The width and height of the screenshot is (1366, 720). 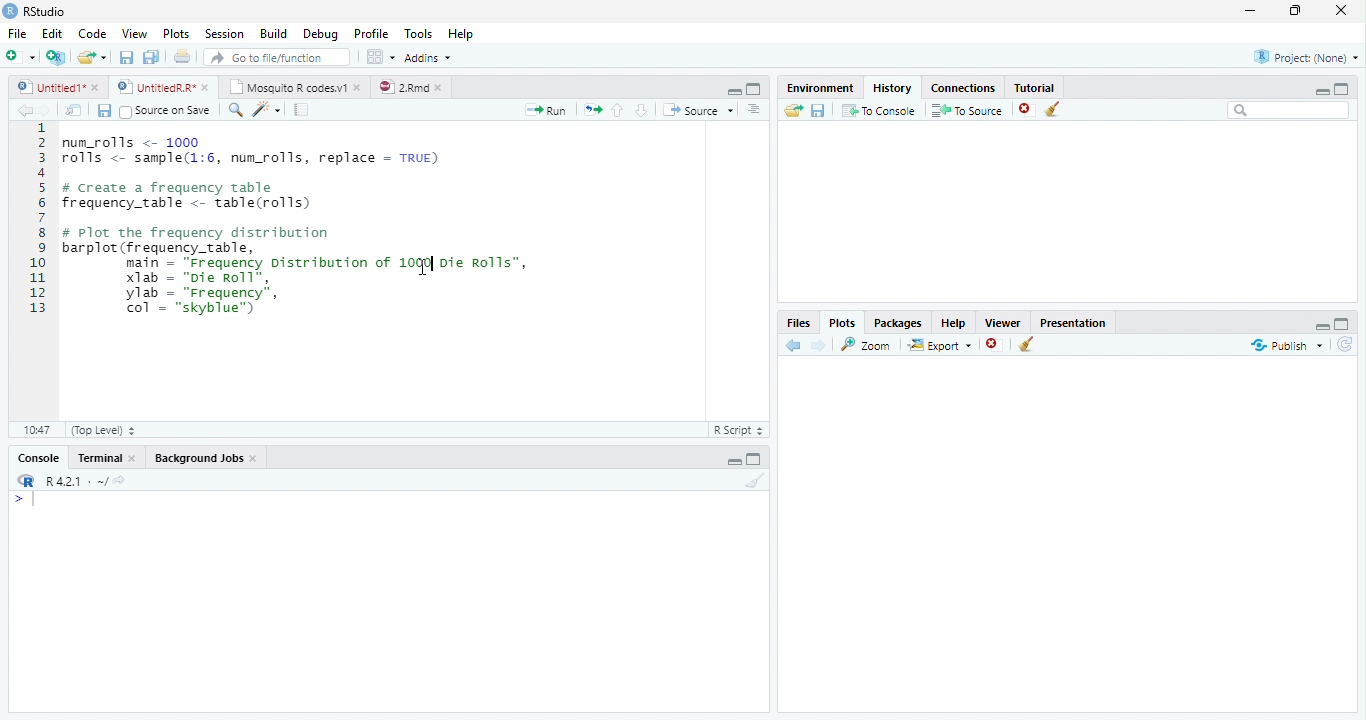 I want to click on Edit, so click(x=53, y=31).